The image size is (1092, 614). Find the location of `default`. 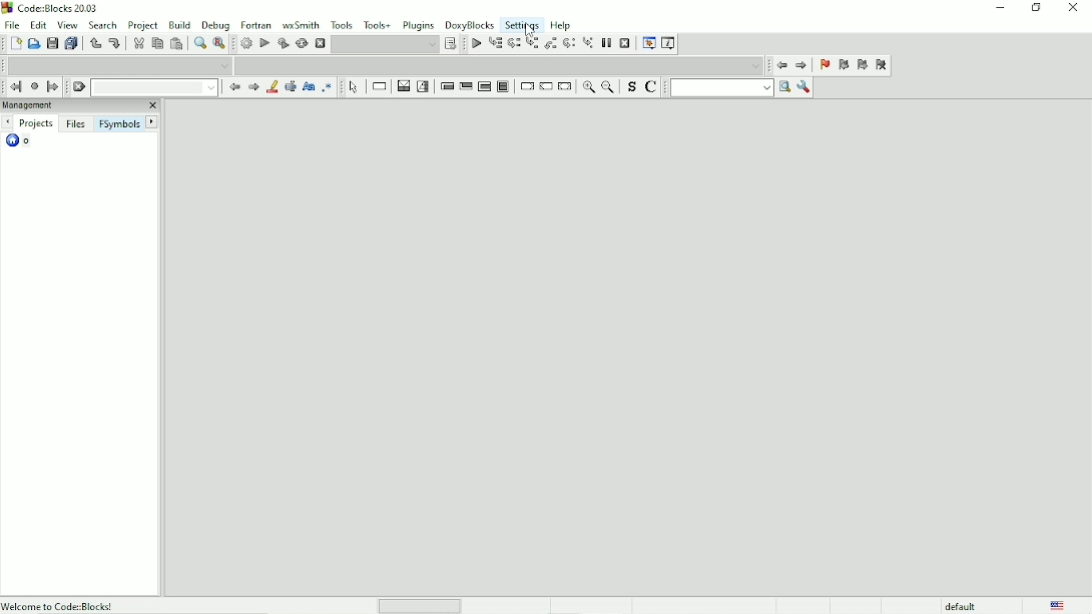

default is located at coordinates (964, 605).